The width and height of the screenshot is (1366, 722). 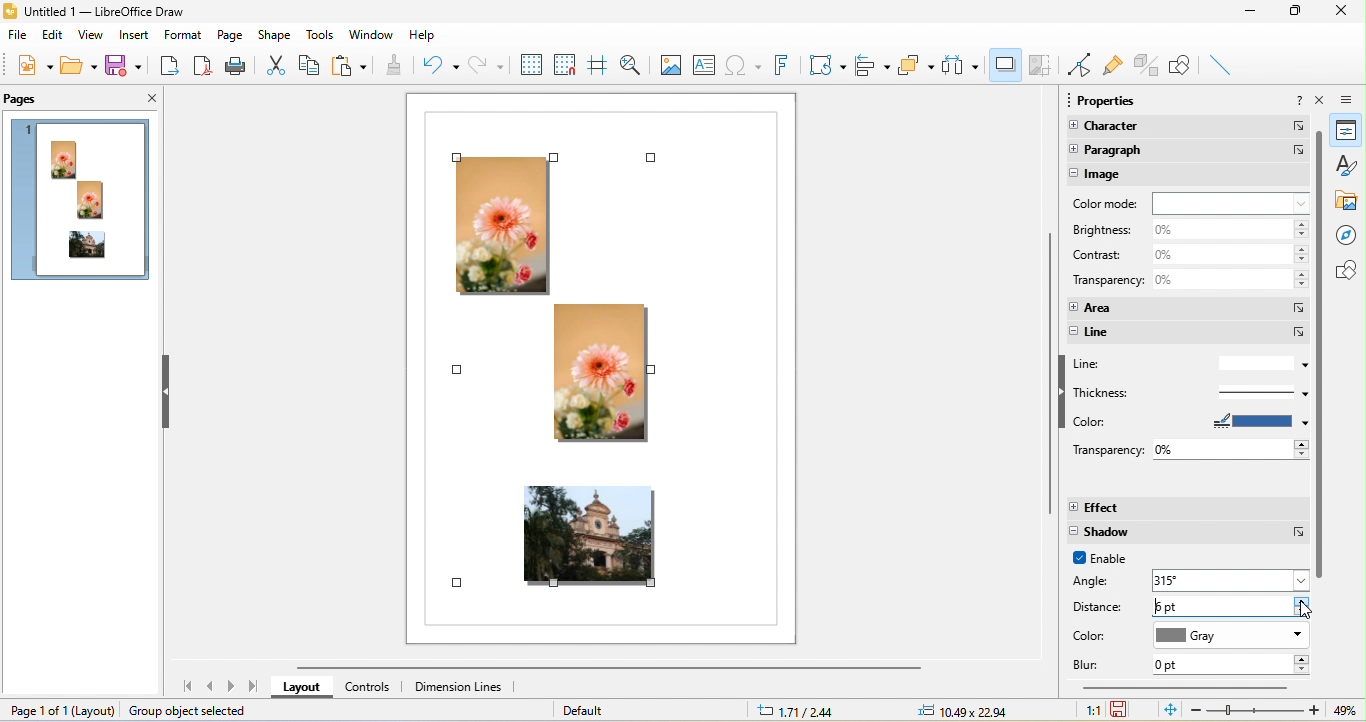 What do you see at coordinates (1346, 133) in the screenshot?
I see `Properties` at bounding box center [1346, 133].